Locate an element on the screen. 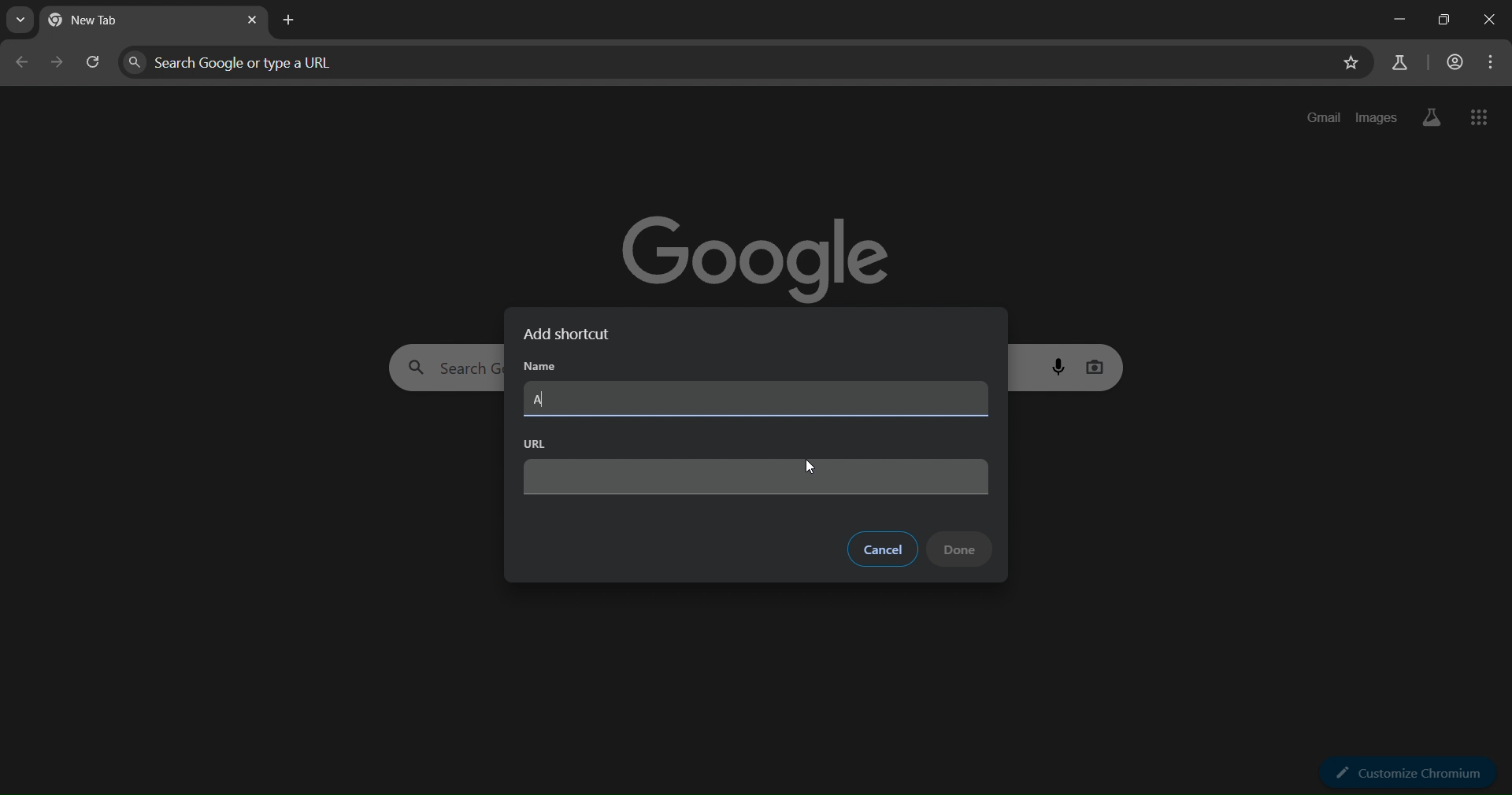  minimize is located at coordinates (1395, 22).